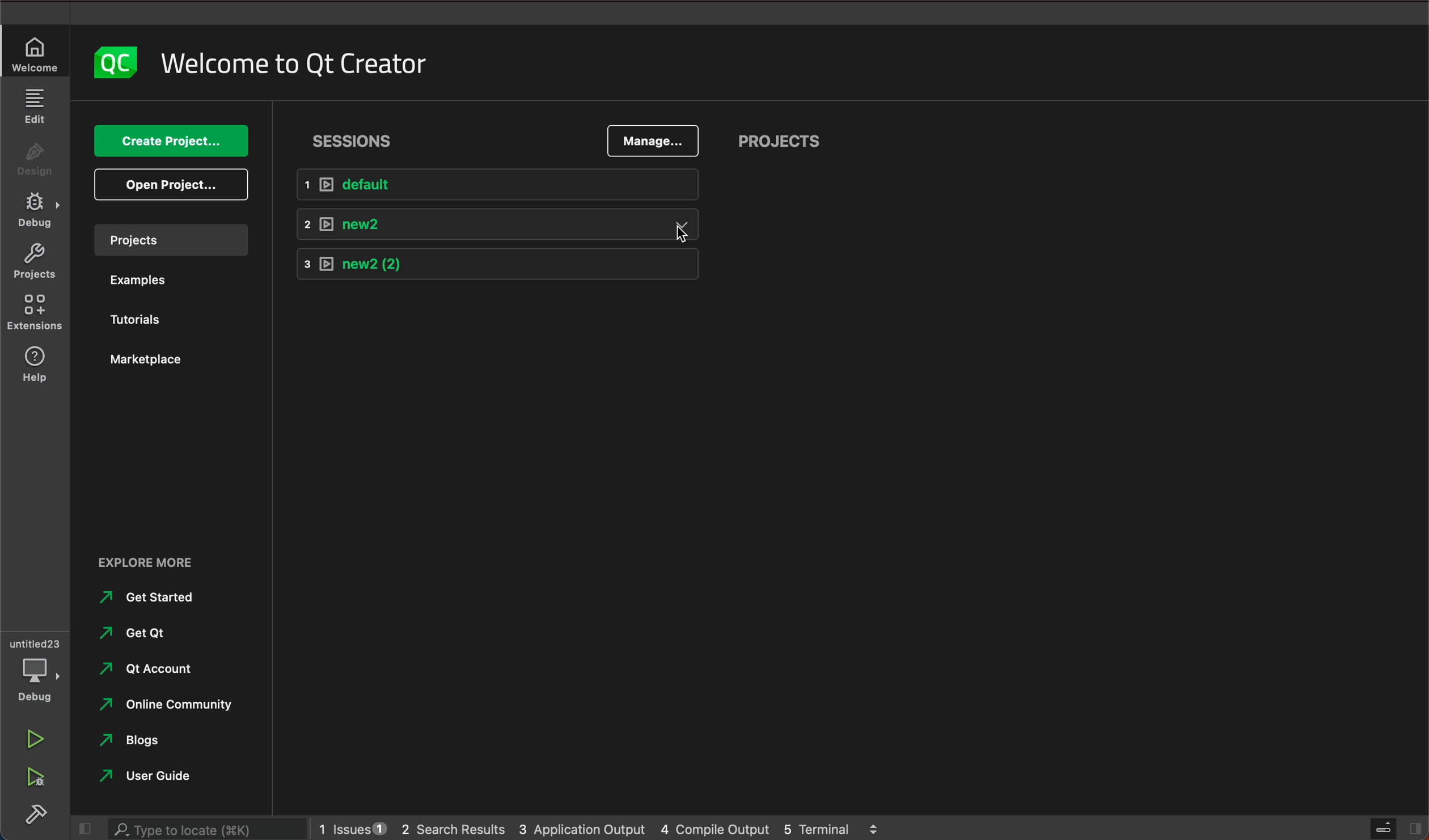 Image resolution: width=1429 pixels, height=840 pixels. I want to click on tutorials, so click(158, 320).